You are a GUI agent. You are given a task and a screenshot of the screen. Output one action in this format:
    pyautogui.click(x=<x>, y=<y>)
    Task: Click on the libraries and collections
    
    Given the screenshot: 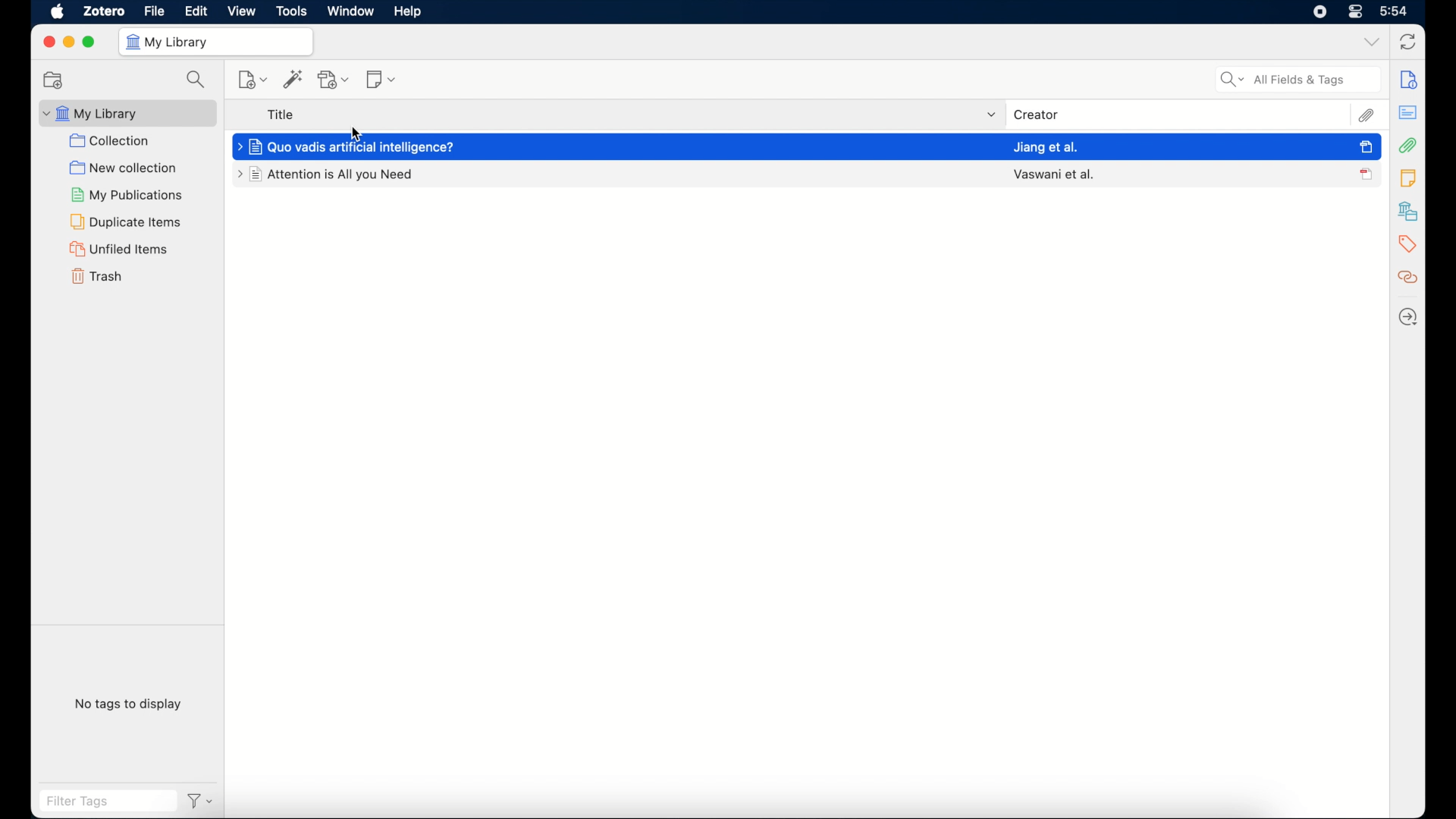 What is the action you would take?
    pyautogui.click(x=1410, y=211)
    